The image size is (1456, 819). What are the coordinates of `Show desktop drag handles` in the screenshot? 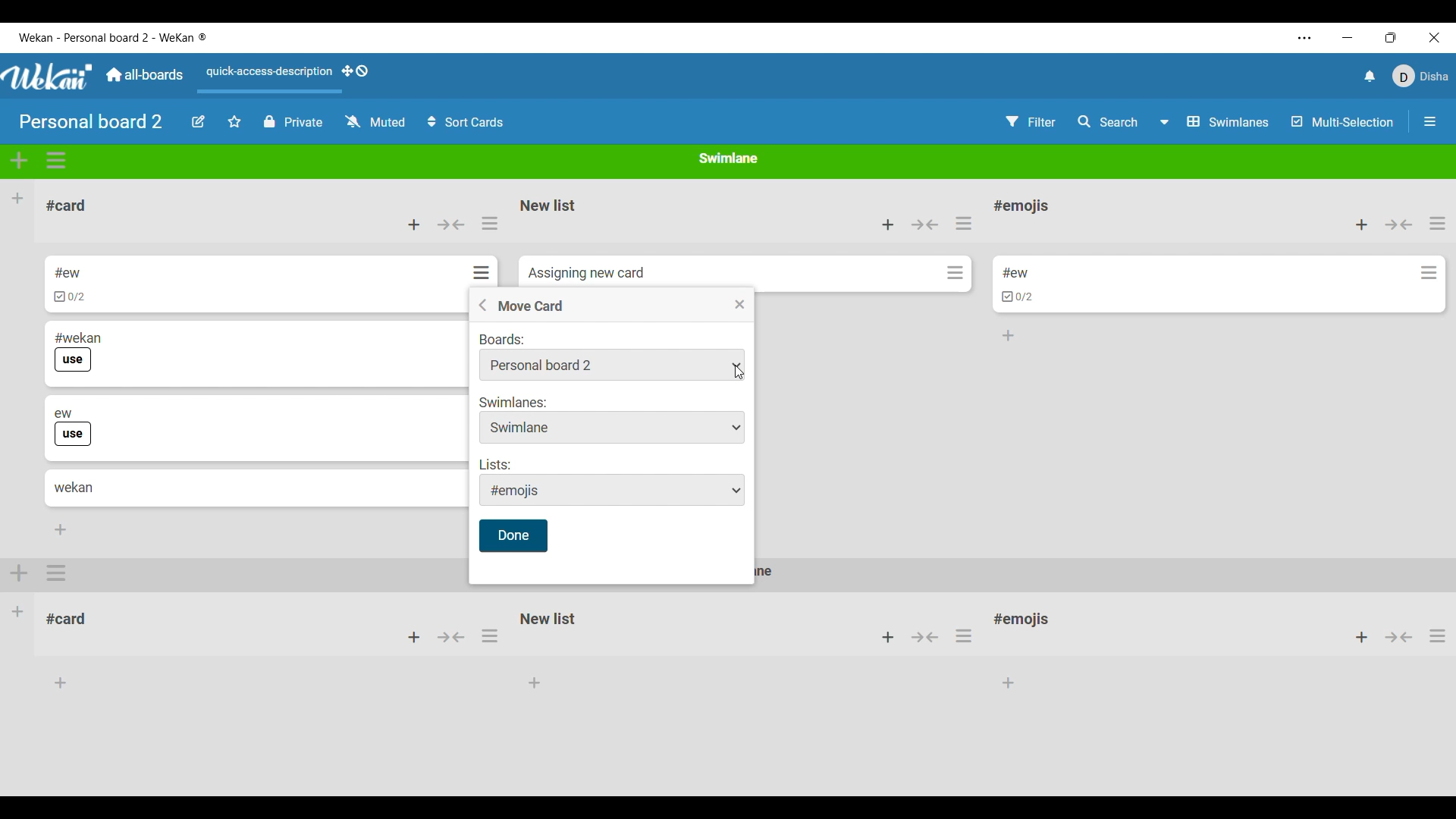 It's located at (355, 71).